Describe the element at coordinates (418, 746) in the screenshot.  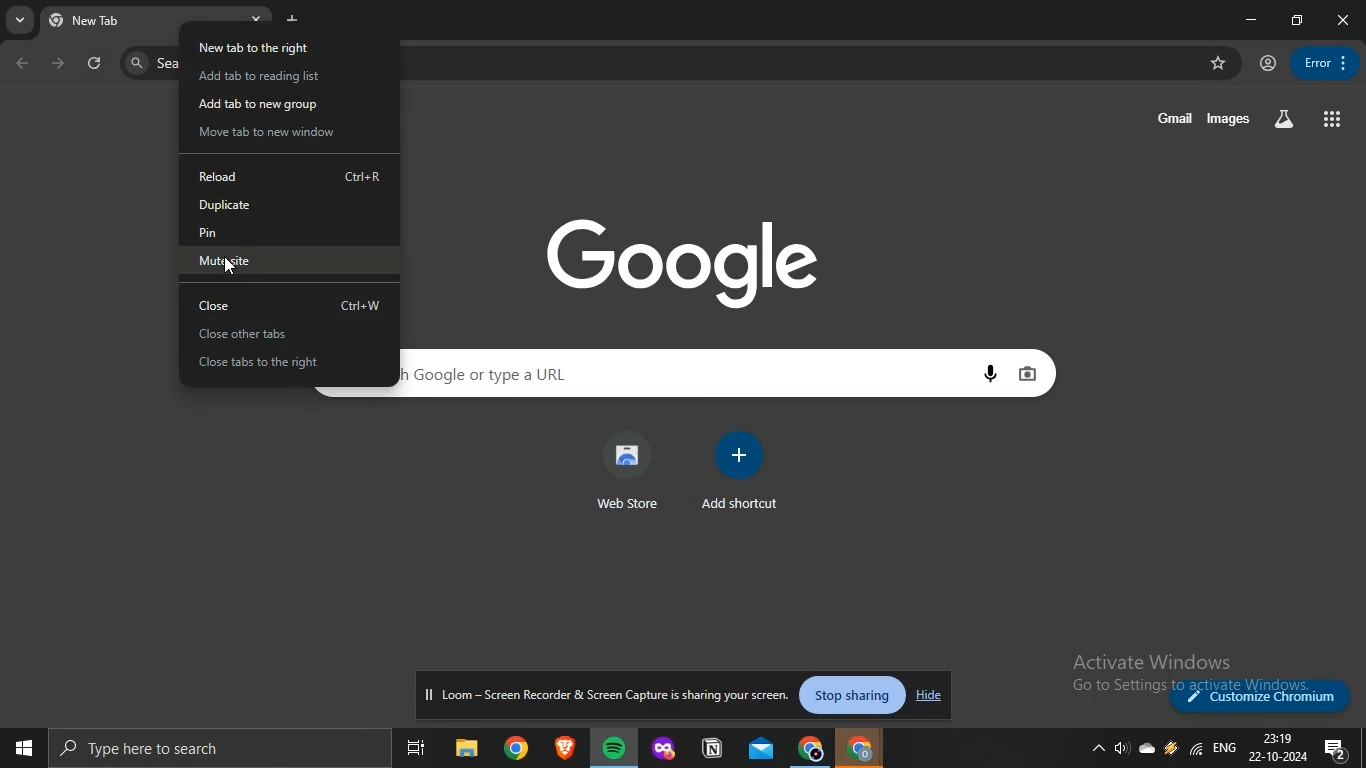
I see `task view` at that location.